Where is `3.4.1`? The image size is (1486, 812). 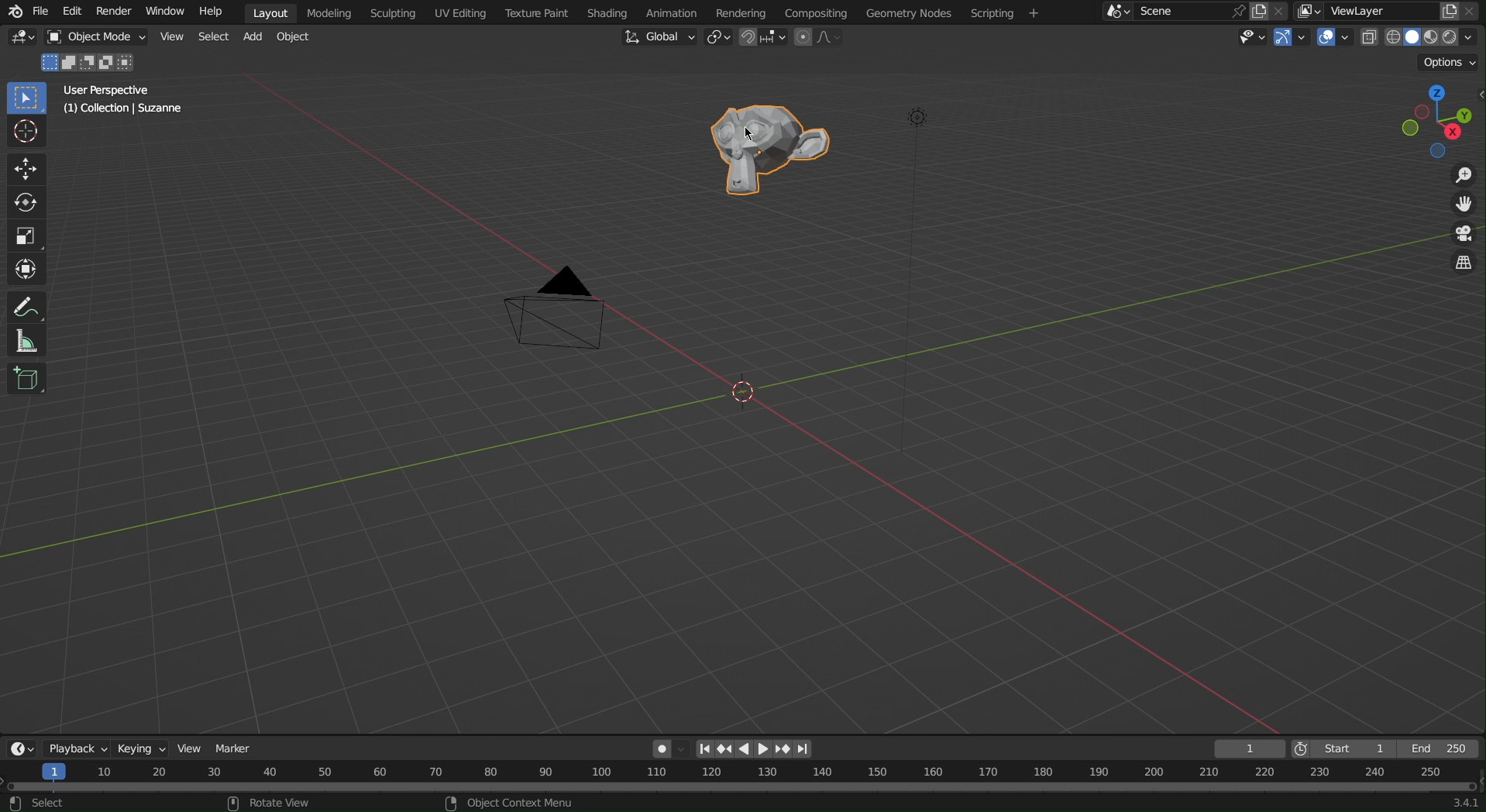 3.4.1 is located at coordinates (1465, 803).